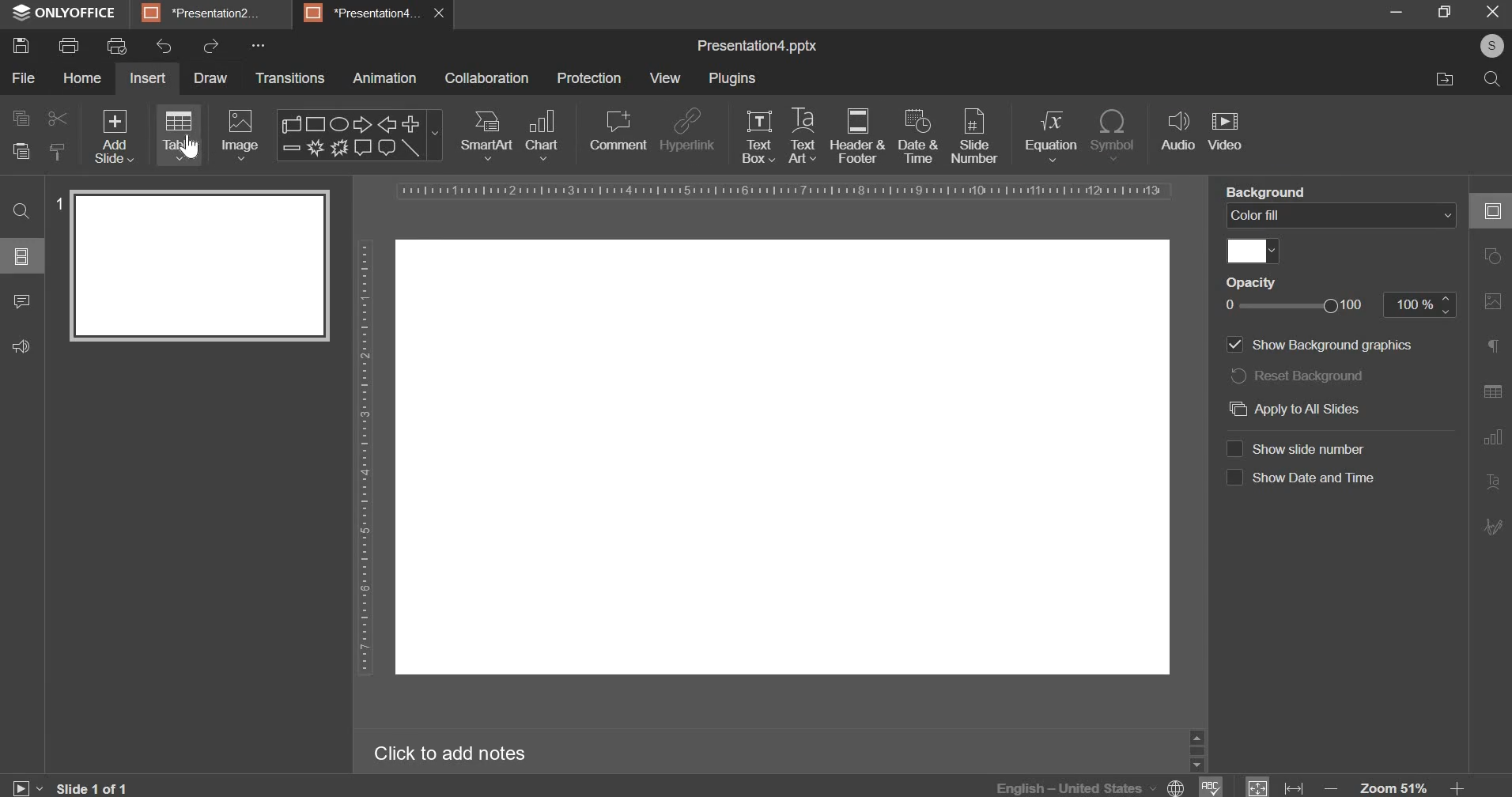 This screenshot has width=1512, height=797. Describe the element at coordinates (620, 131) in the screenshot. I see `comment` at that location.